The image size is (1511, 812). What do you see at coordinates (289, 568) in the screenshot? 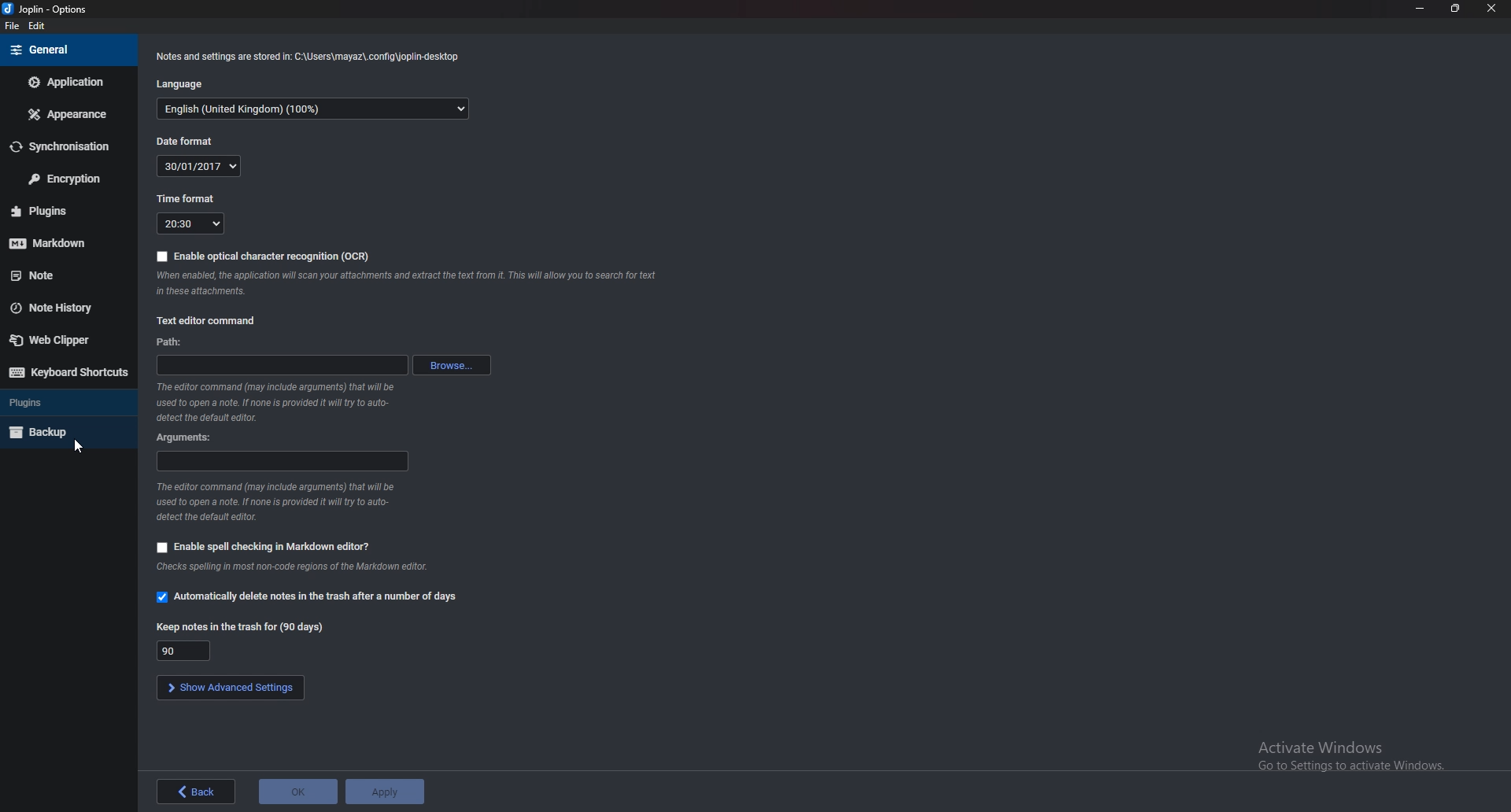
I see `Info` at bounding box center [289, 568].